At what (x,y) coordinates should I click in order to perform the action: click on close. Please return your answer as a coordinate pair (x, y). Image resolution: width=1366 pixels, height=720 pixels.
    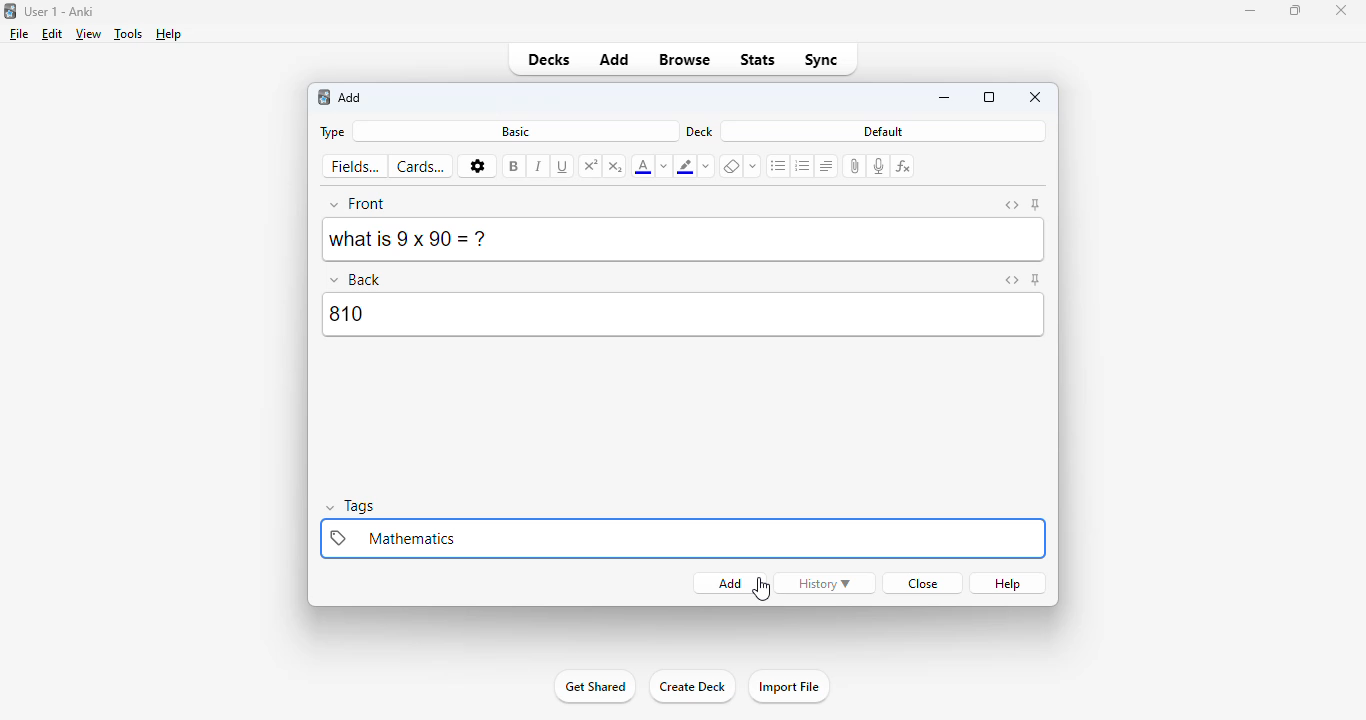
    Looking at the image, I should click on (920, 583).